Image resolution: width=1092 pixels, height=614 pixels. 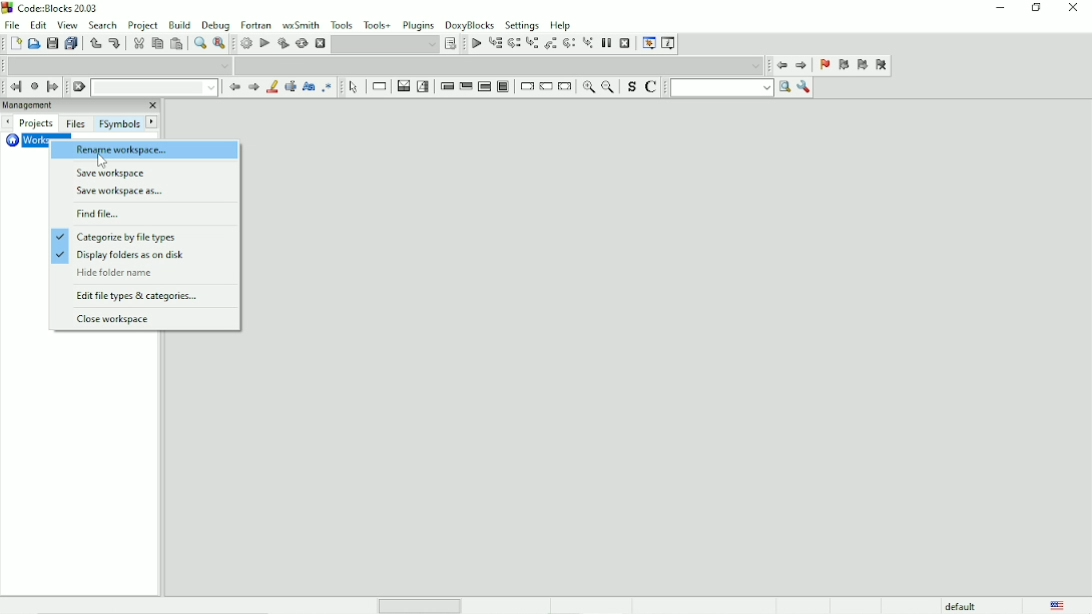 I want to click on DoxyBlocks, so click(x=470, y=23).